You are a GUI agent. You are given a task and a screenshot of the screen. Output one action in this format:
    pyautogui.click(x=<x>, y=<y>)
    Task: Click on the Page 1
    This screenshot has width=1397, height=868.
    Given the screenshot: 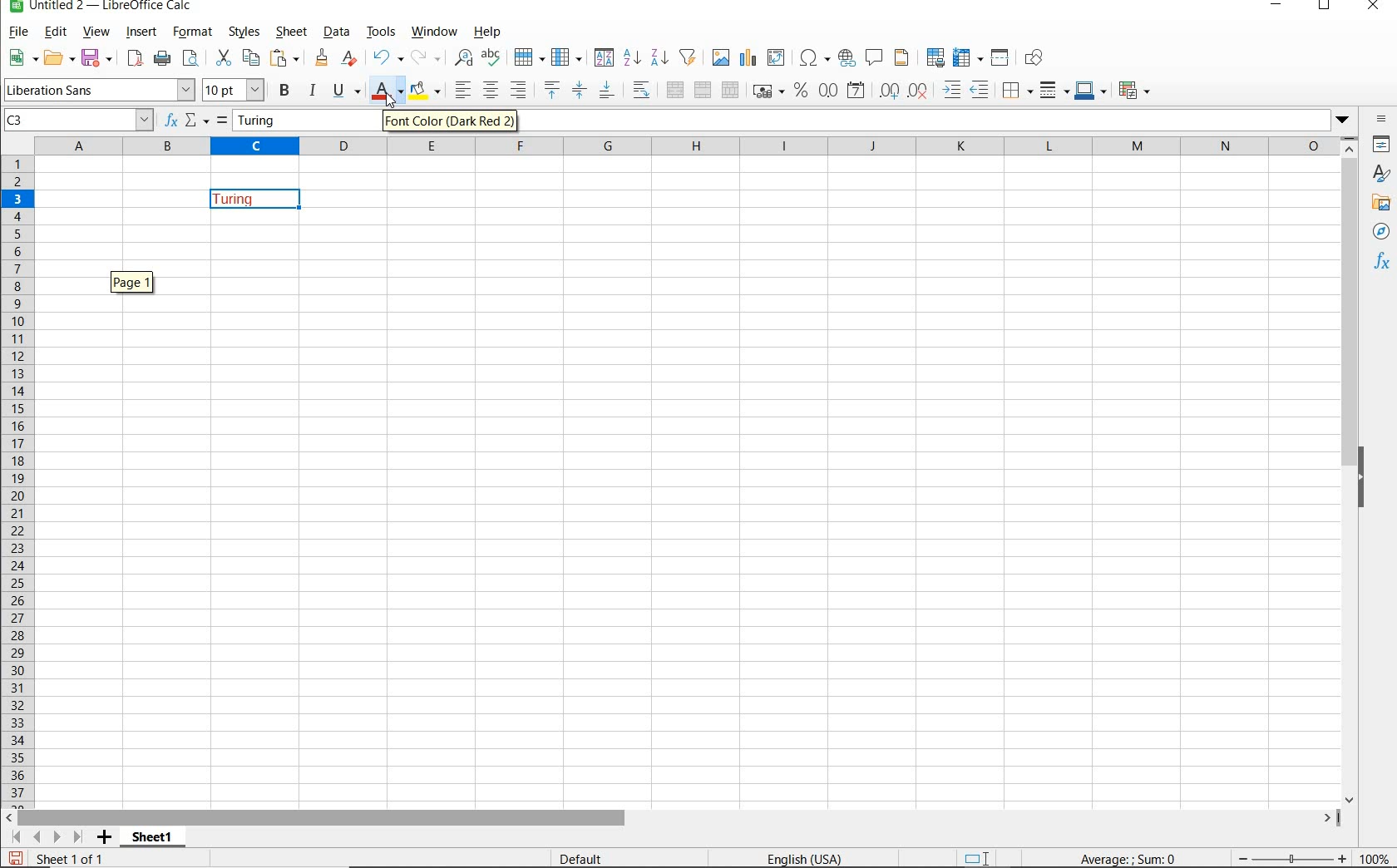 What is the action you would take?
    pyautogui.click(x=131, y=284)
    